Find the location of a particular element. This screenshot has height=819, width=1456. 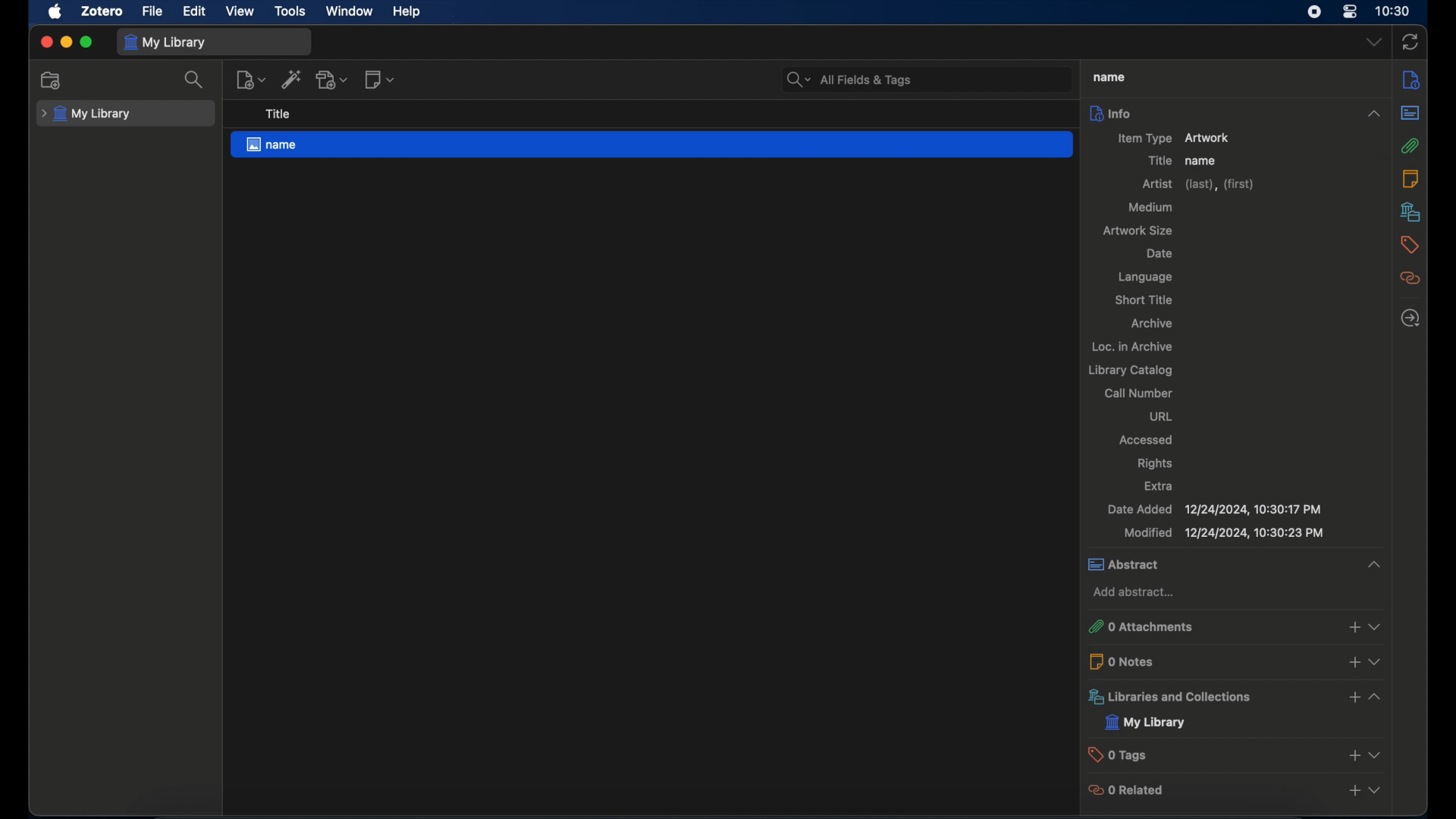

expand section is located at coordinates (1380, 626).